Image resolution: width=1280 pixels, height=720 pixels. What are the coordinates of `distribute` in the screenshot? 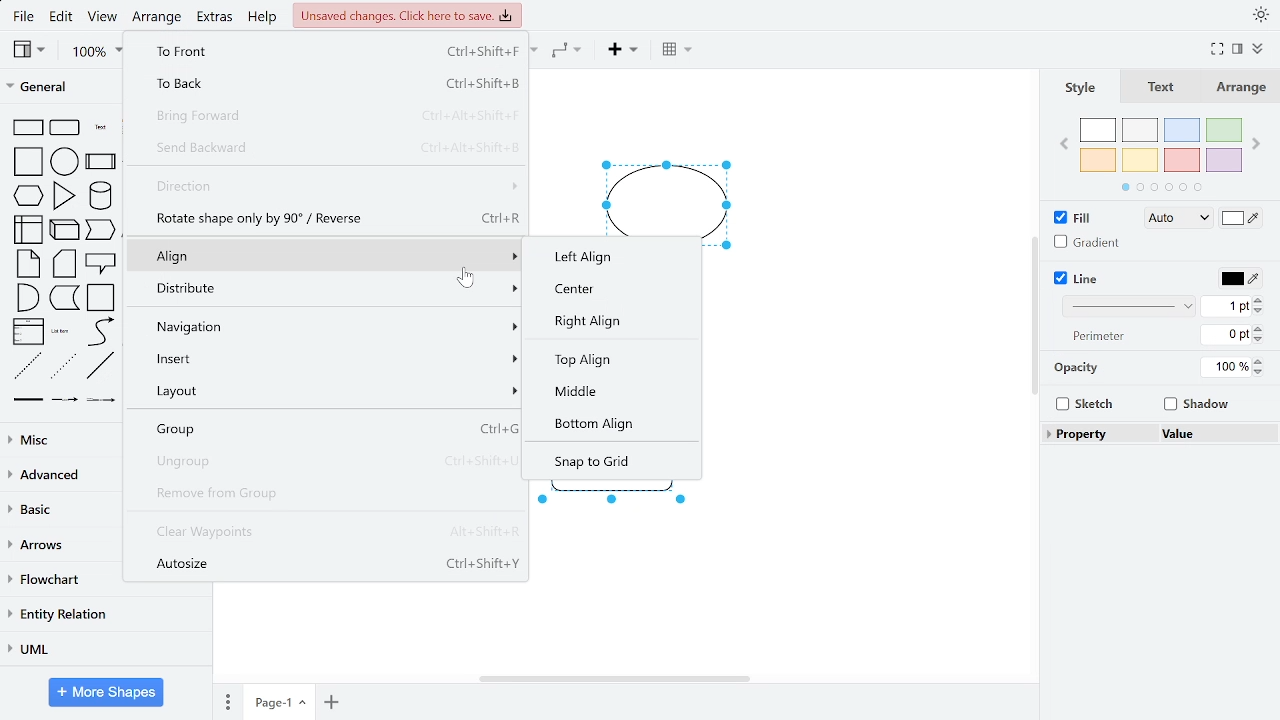 It's located at (326, 289).